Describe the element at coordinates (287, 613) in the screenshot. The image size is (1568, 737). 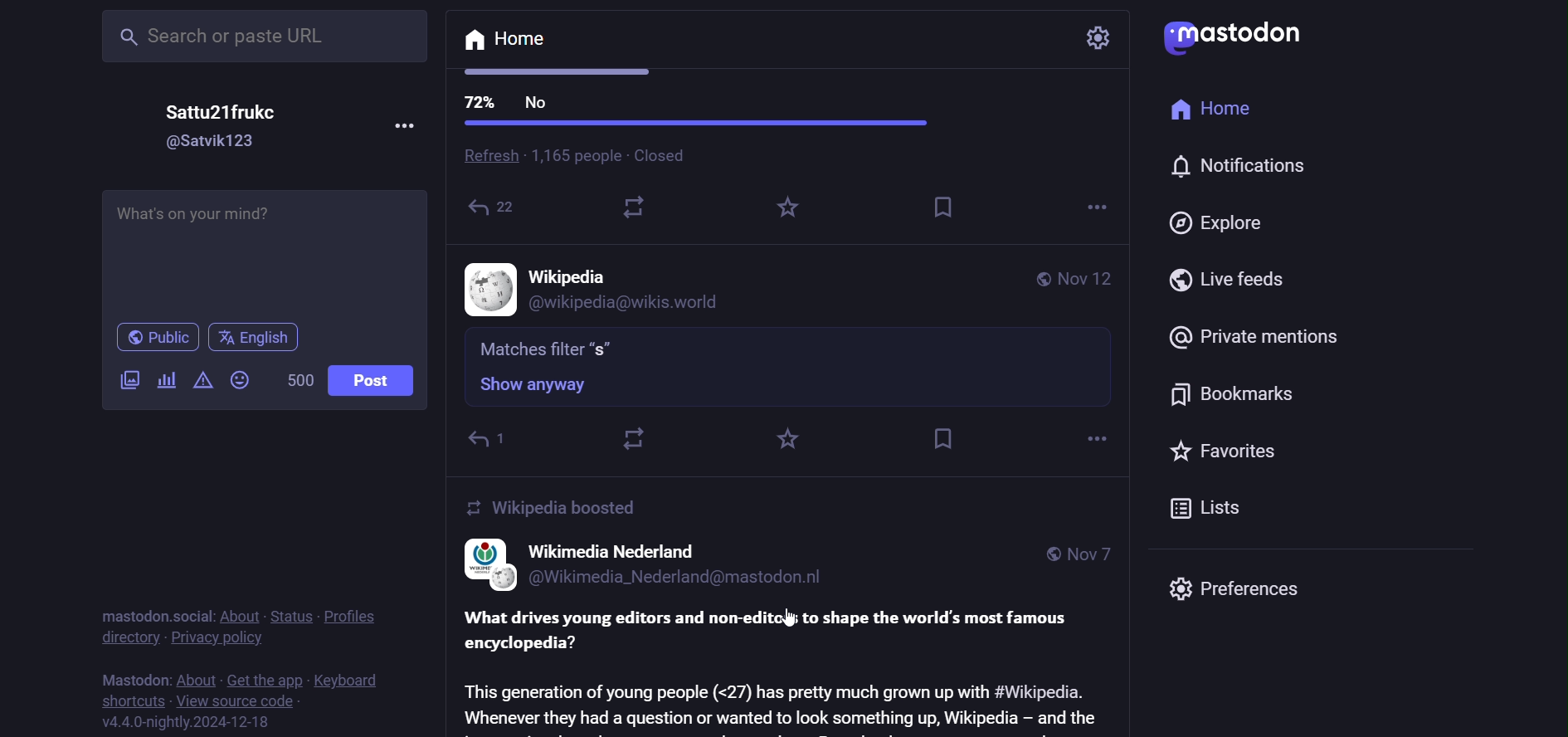
I see `status` at that location.